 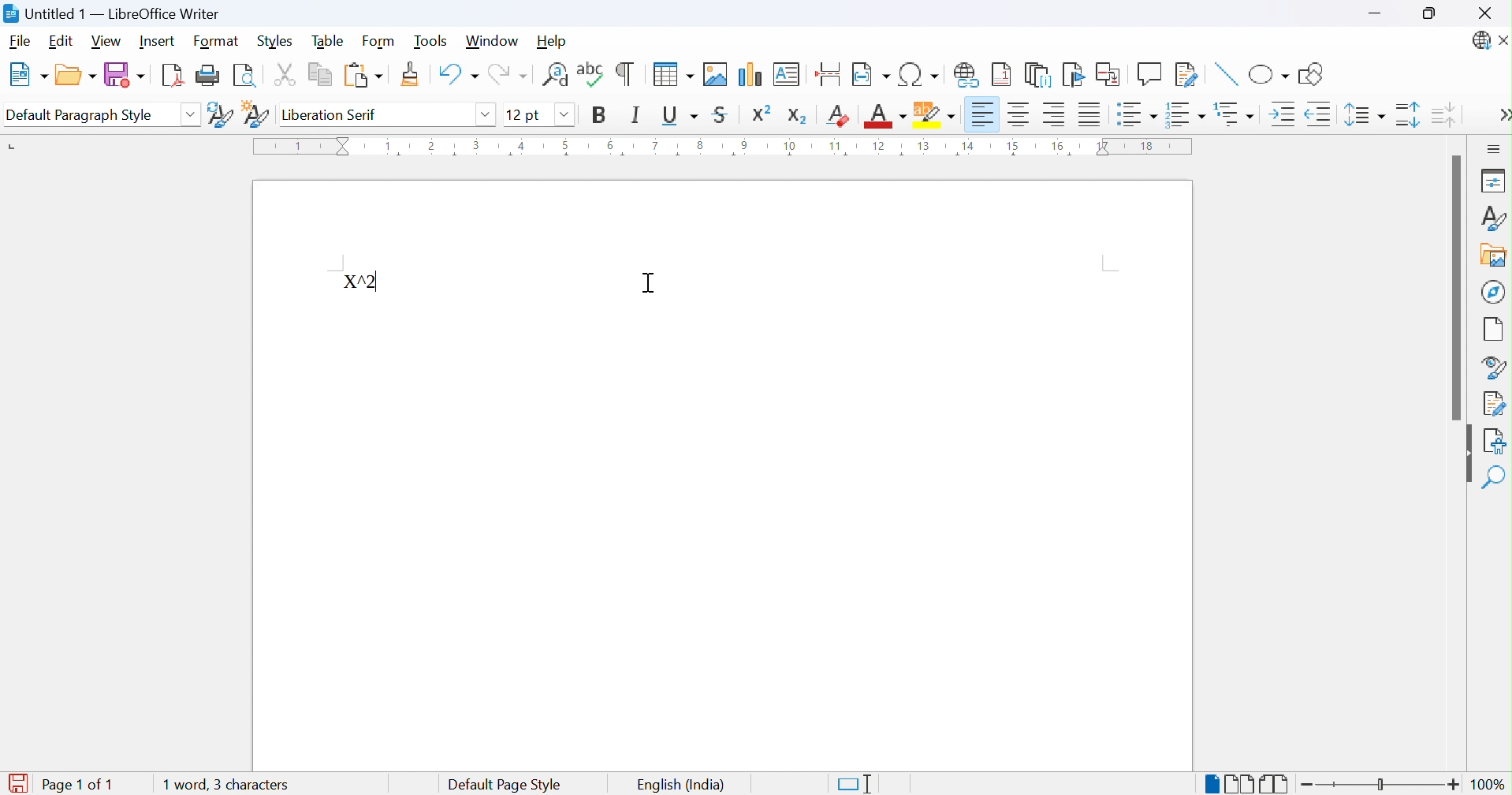 I want to click on Single-page view, so click(x=1215, y=786).